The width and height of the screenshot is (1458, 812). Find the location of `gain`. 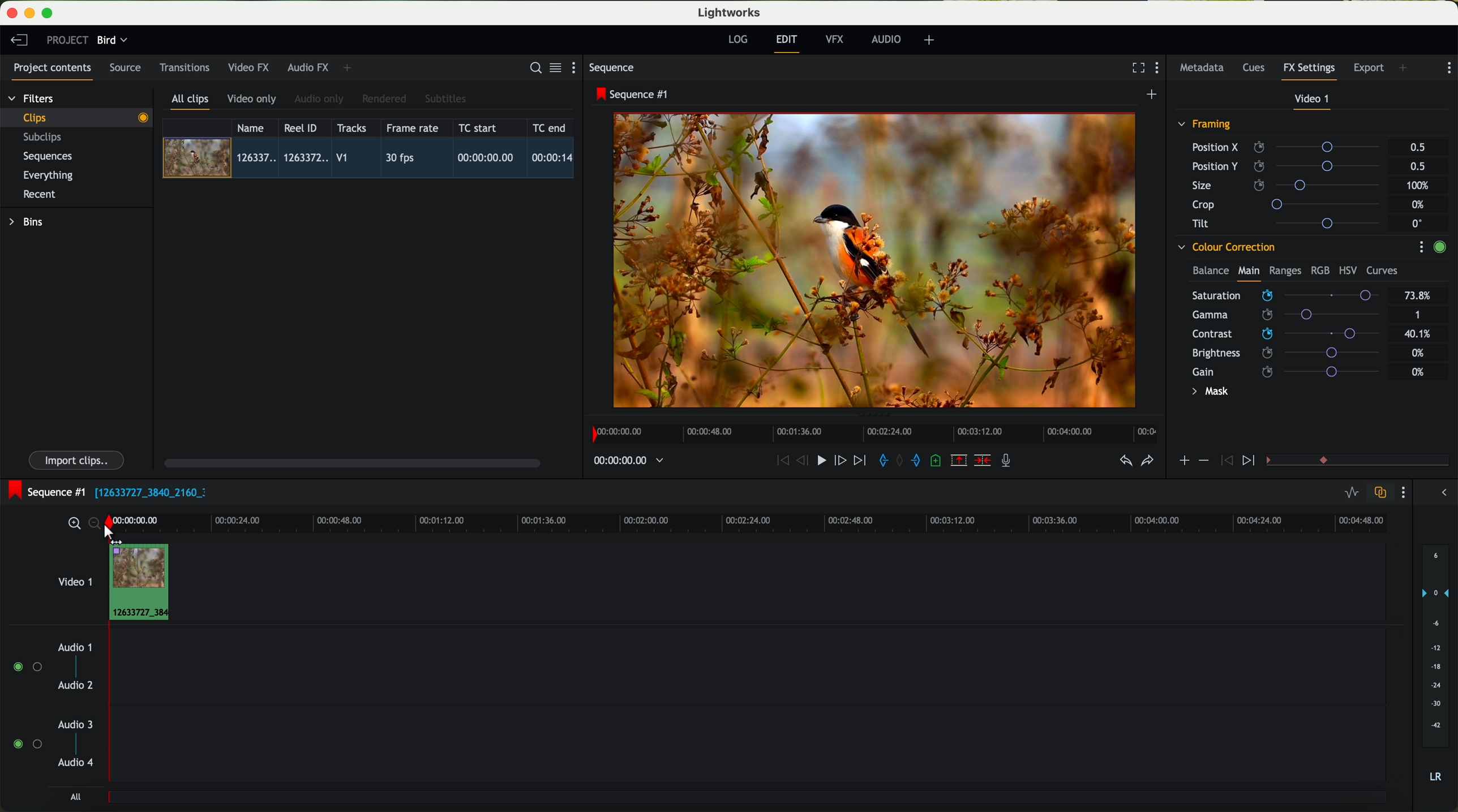

gain is located at coordinates (1293, 371).